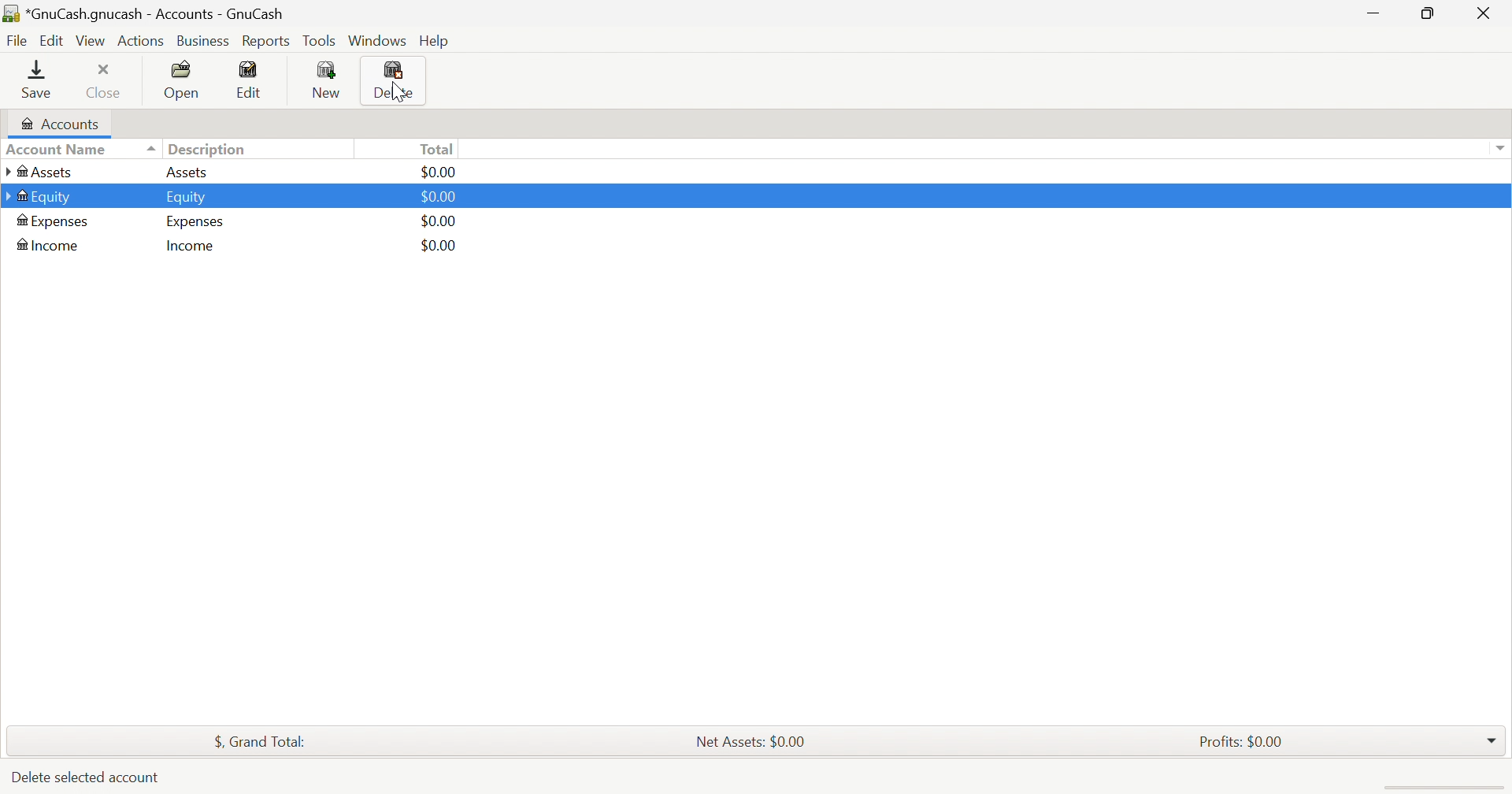  What do you see at coordinates (1492, 736) in the screenshot?
I see `Drop Down` at bounding box center [1492, 736].